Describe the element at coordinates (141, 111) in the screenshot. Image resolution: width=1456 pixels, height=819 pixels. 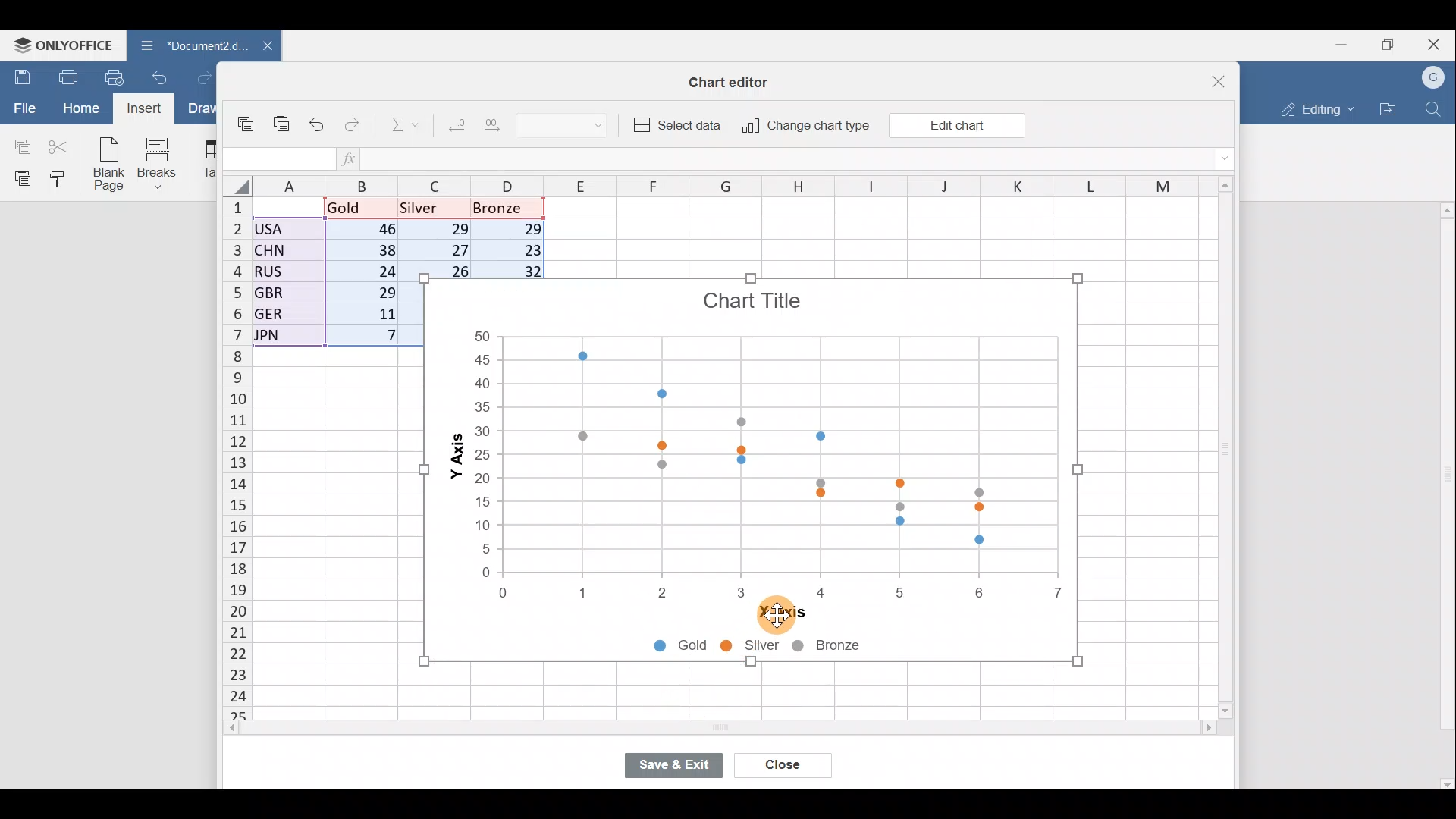
I see `Cursor on Insert` at that location.